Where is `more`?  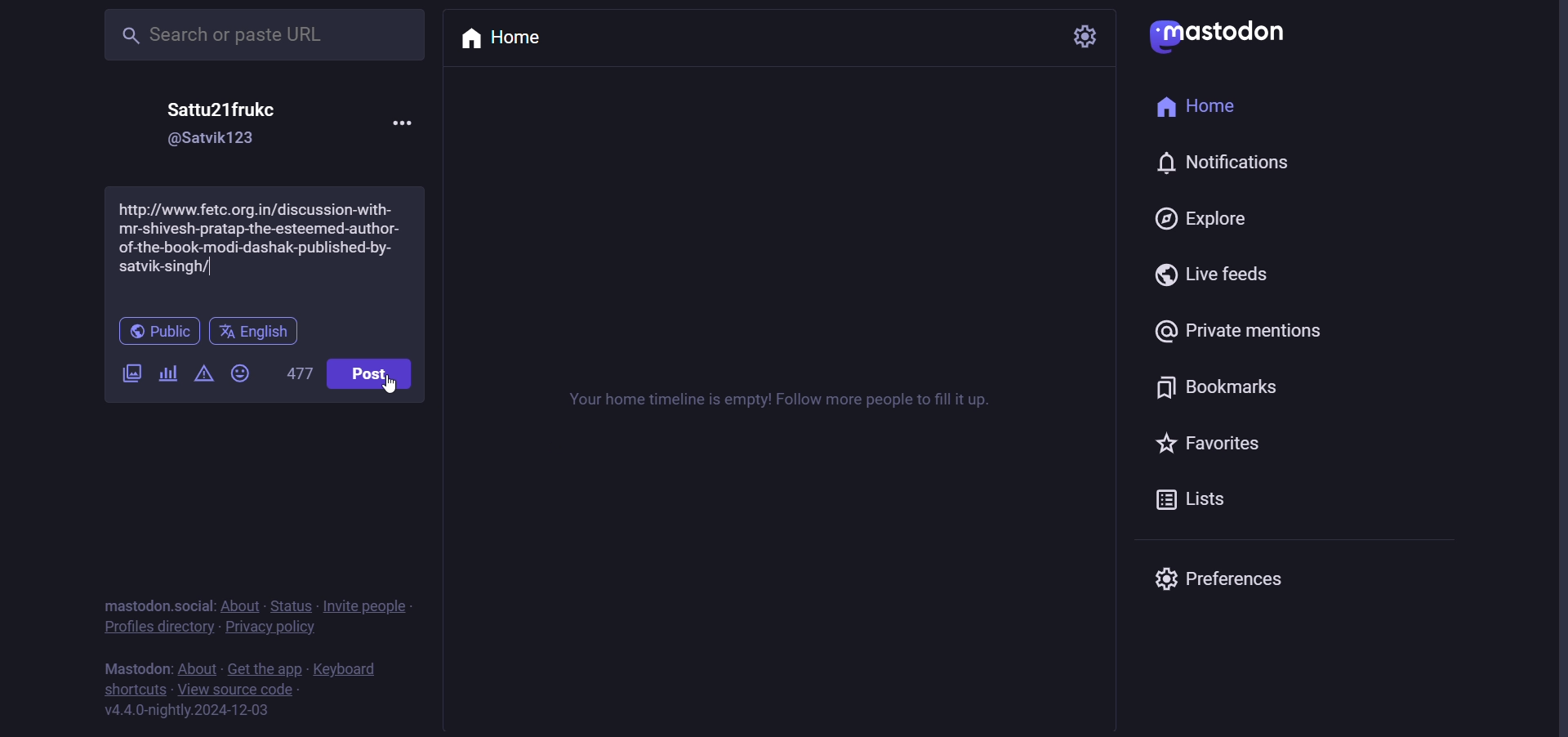 more is located at coordinates (407, 119).